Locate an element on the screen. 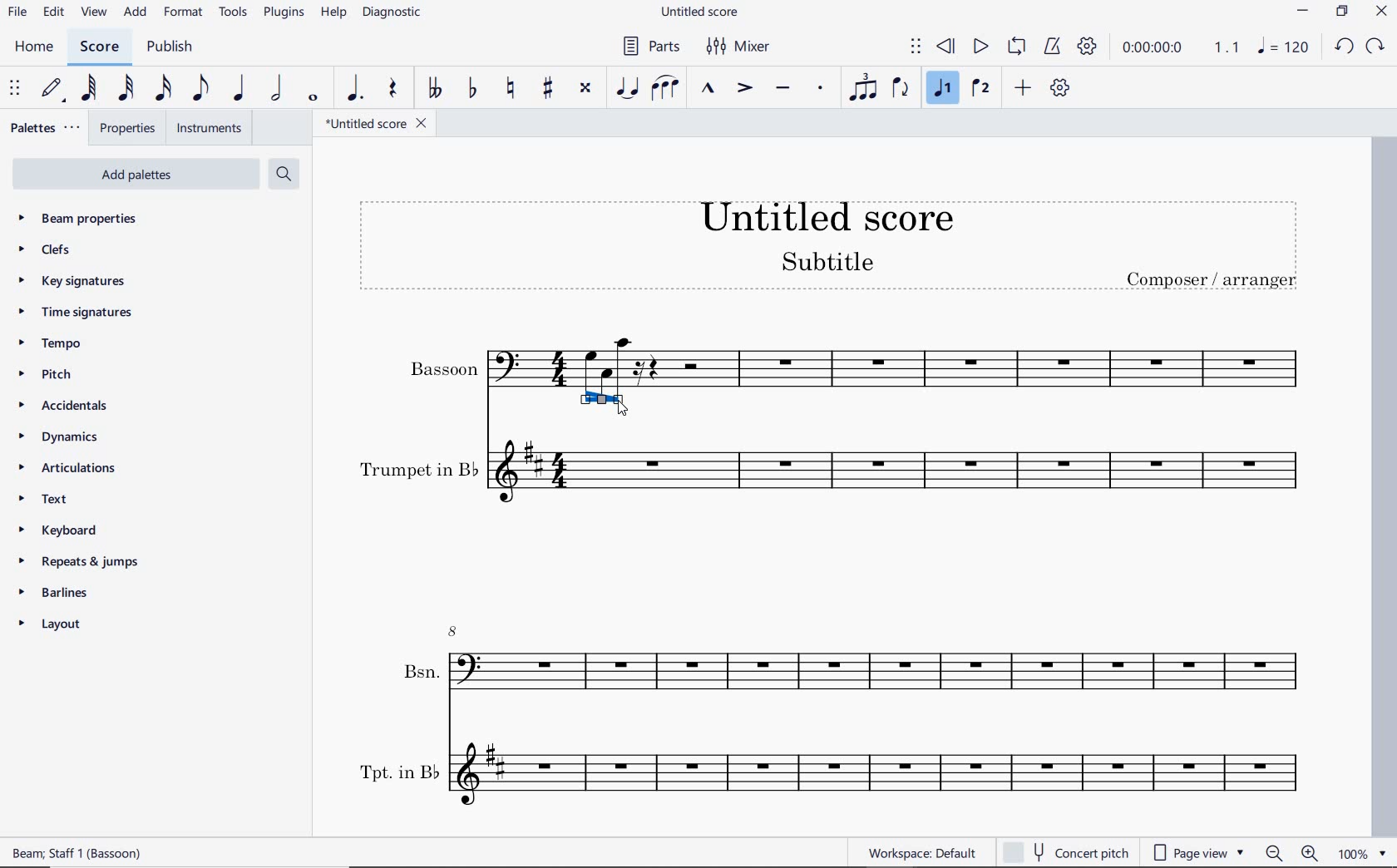 This screenshot has height=868, width=1397. title is located at coordinates (835, 243).